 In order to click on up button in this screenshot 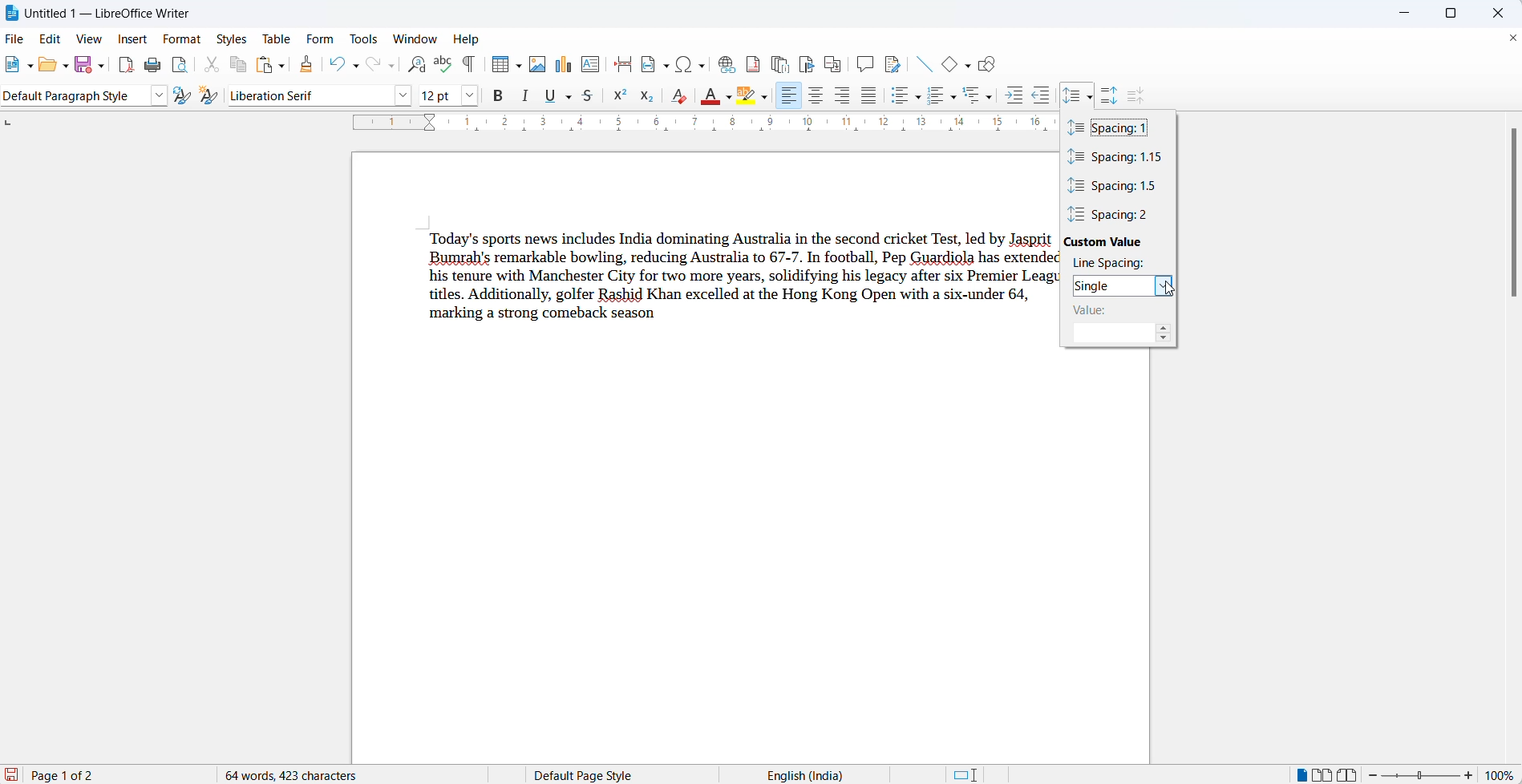, I will do `click(1165, 329)`.